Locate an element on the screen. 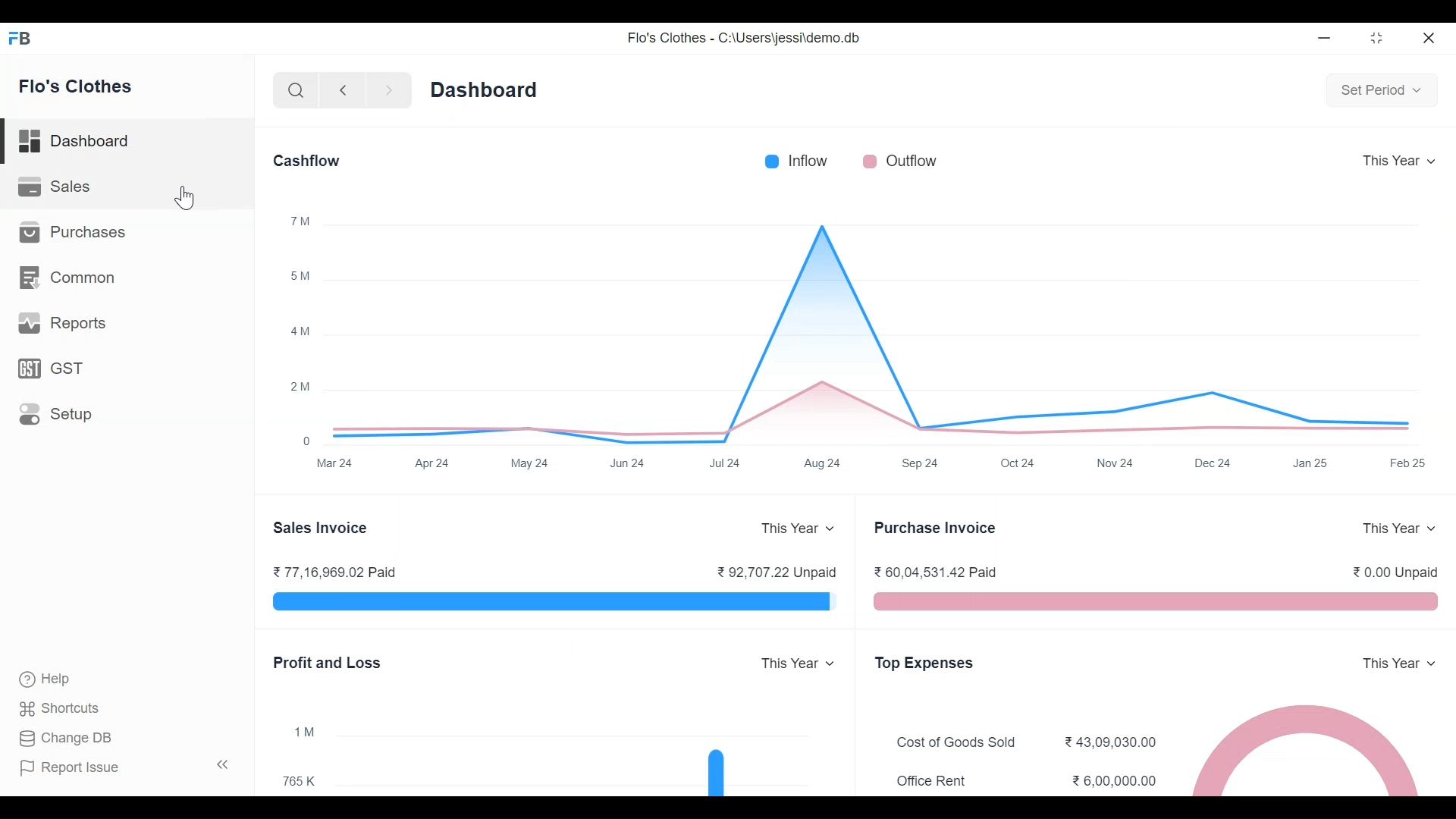 This screenshot has width=1456, height=819. Expand is located at coordinates (833, 529).